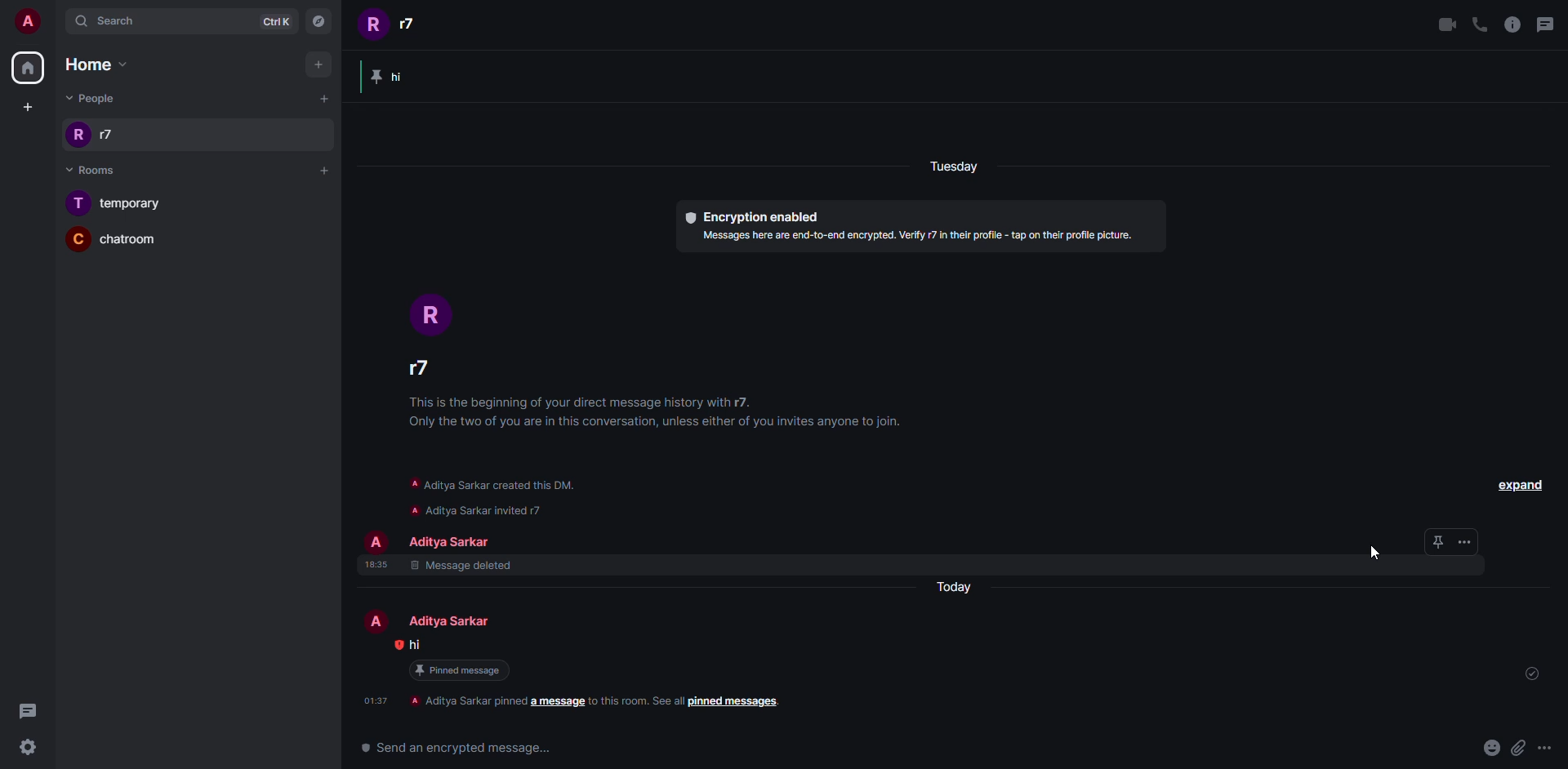 Image resolution: width=1568 pixels, height=769 pixels. What do you see at coordinates (602, 705) in the screenshot?
I see `pinned a message` at bounding box center [602, 705].